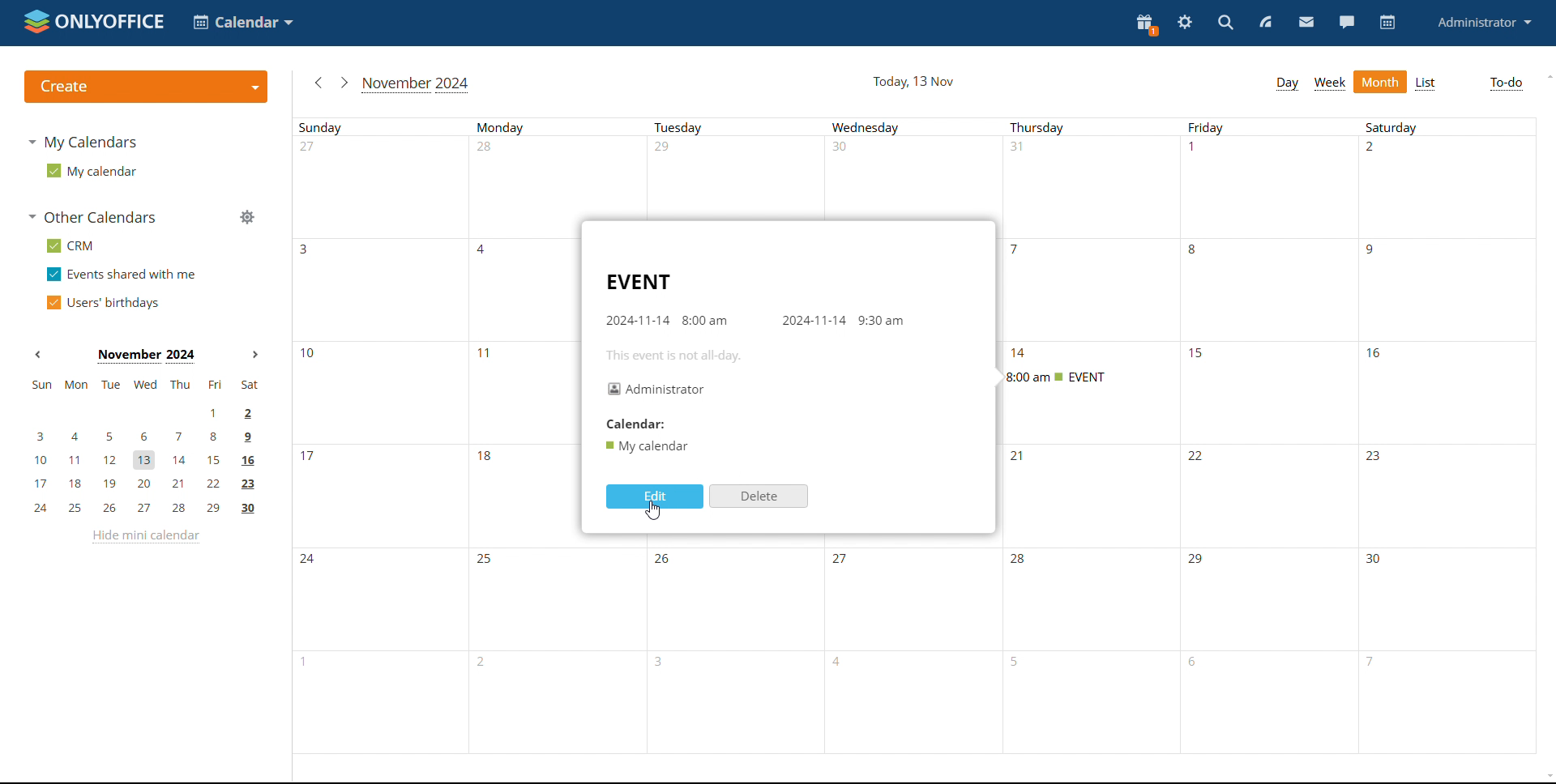 This screenshot has width=1556, height=784. Describe the element at coordinates (656, 387) in the screenshot. I see `organizer` at that location.